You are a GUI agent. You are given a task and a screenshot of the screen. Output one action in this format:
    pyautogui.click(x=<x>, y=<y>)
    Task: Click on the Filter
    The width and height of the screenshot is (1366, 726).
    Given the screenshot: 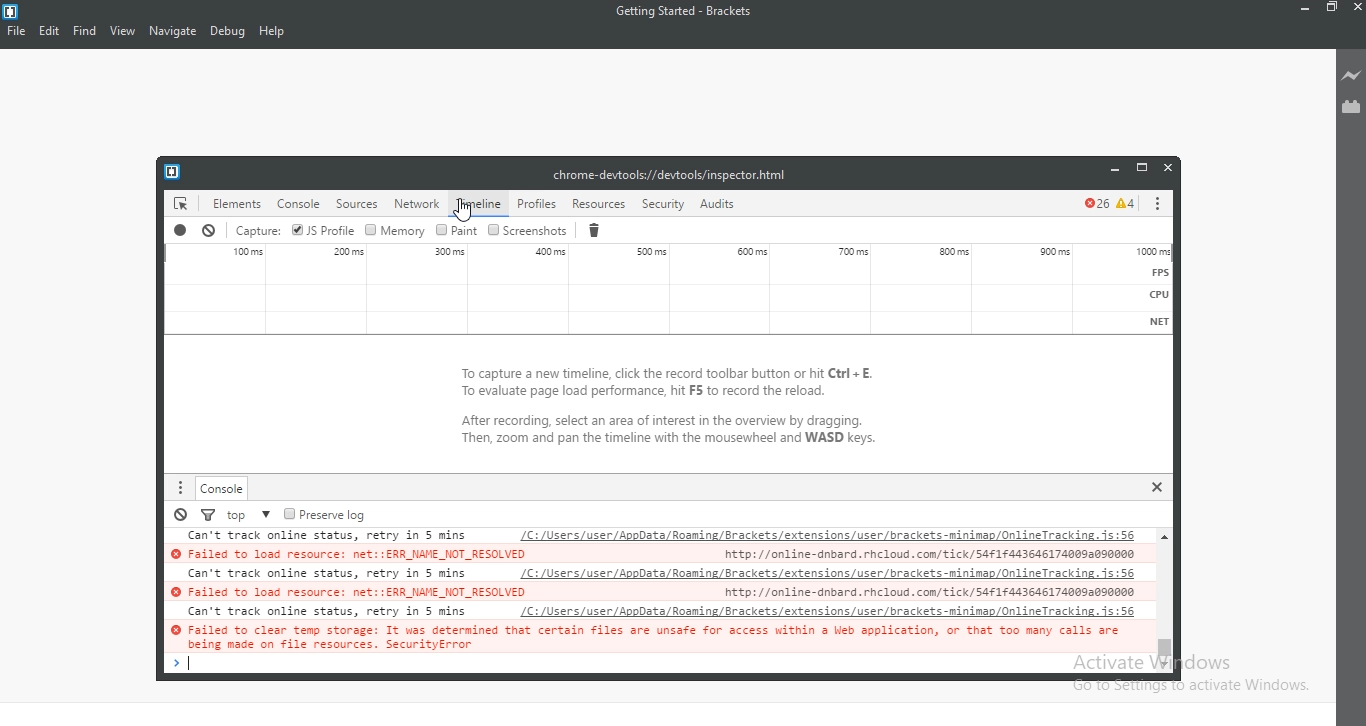 What is the action you would take?
    pyautogui.click(x=209, y=515)
    